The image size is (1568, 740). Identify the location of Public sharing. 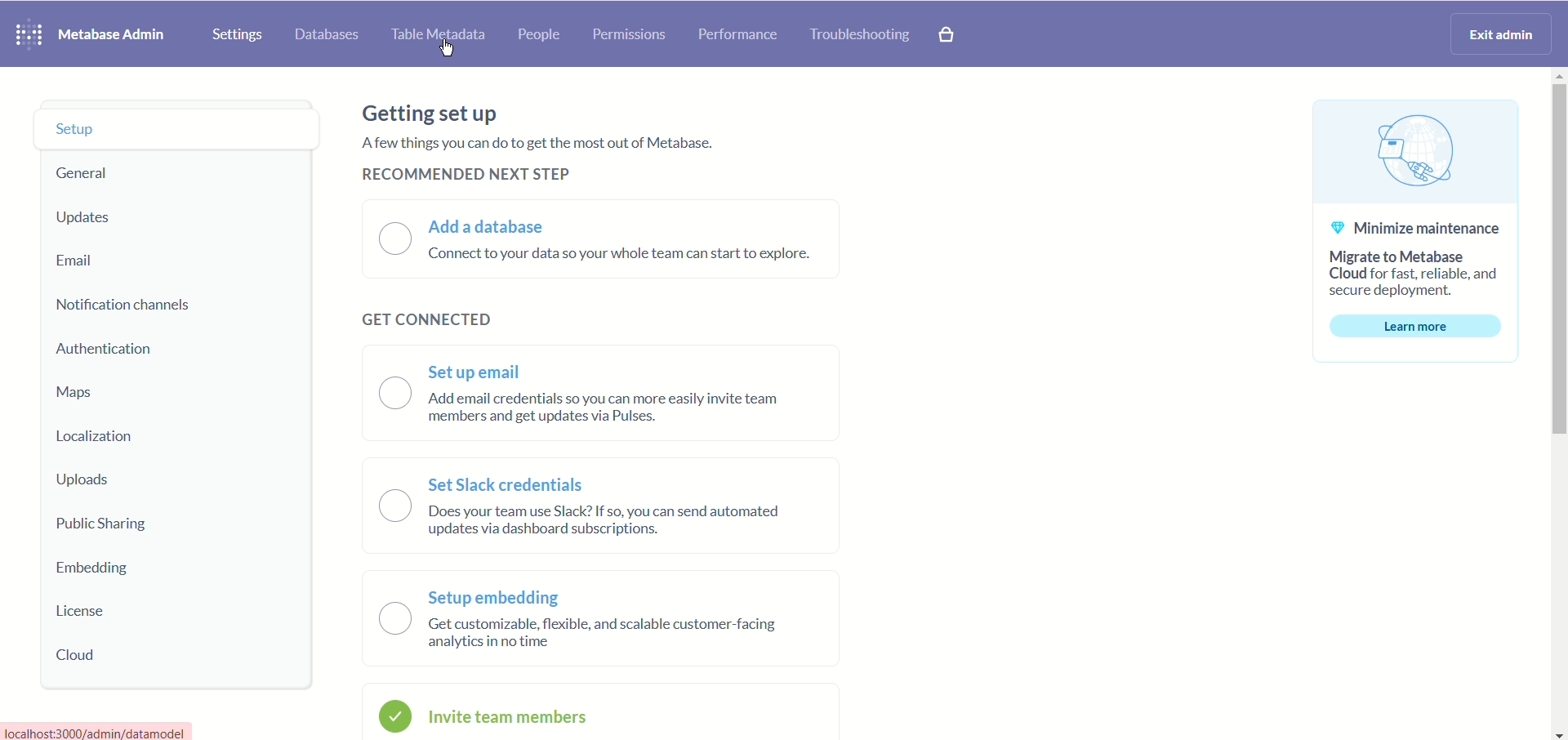
(149, 523).